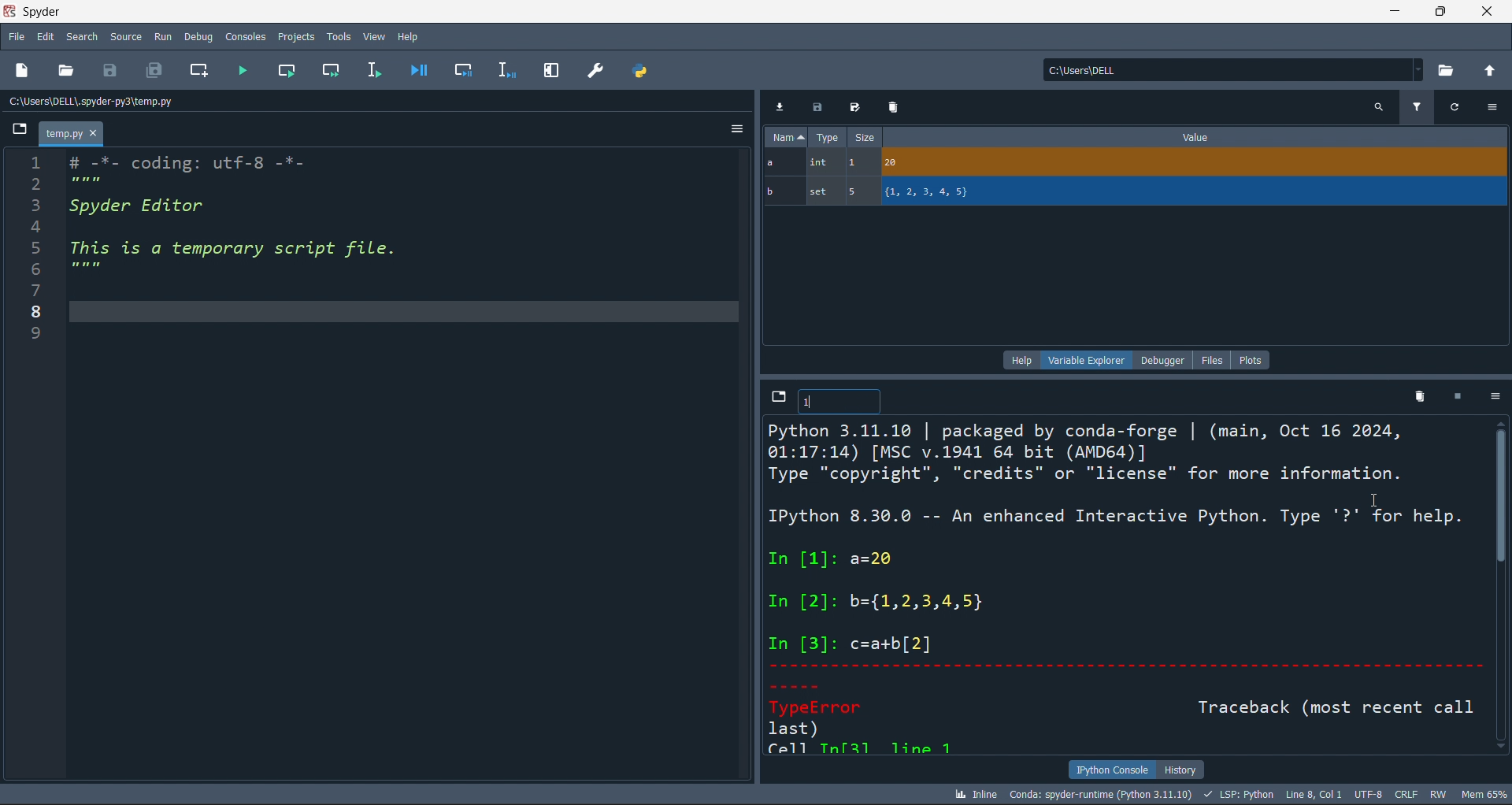  I want to click on scroll bar, so click(1503, 588).